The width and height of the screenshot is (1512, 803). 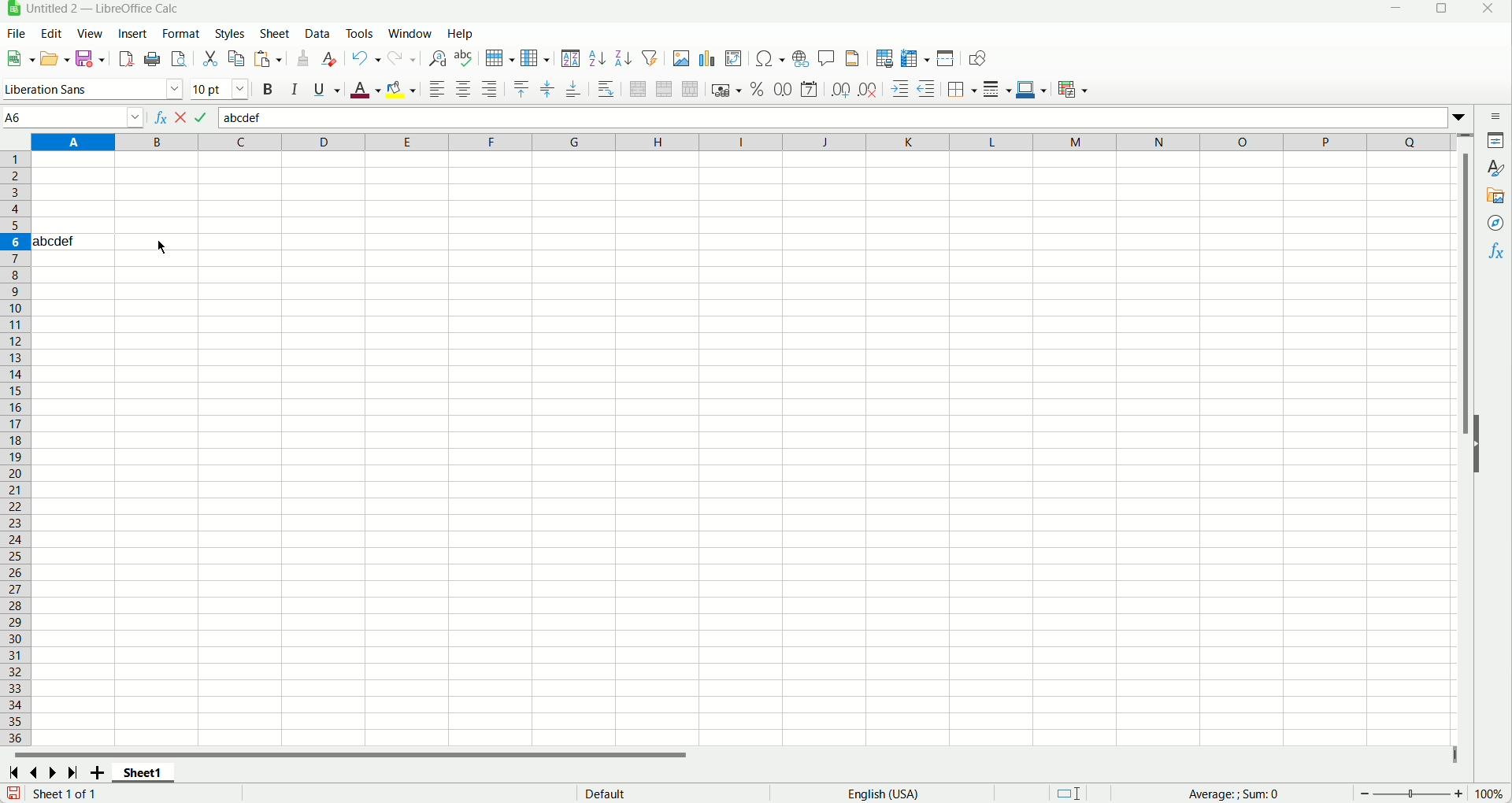 What do you see at coordinates (161, 246) in the screenshot?
I see `cursor` at bounding box center [161, 246].